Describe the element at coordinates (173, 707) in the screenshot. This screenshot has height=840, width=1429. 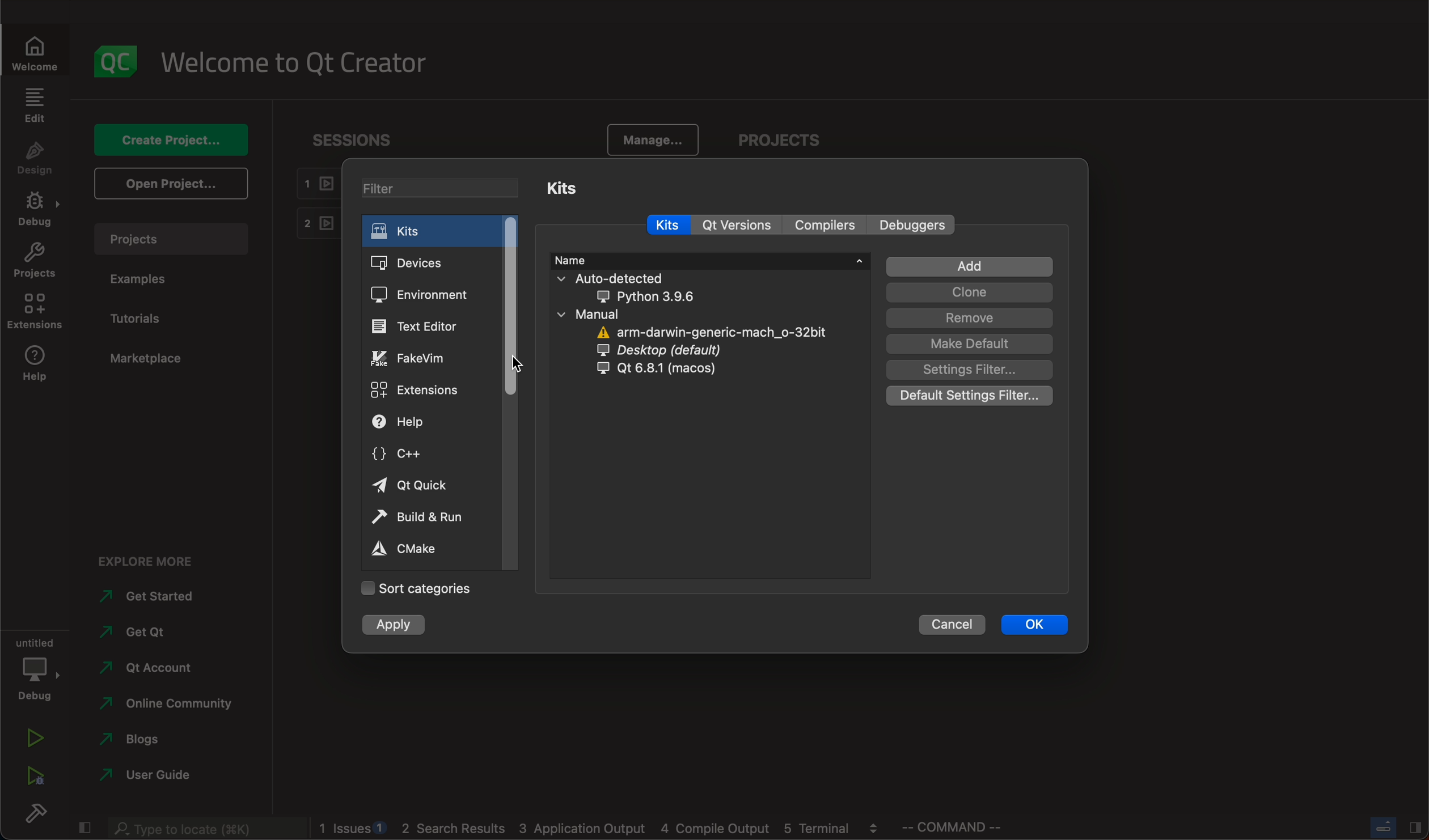
I see `community` at that location.